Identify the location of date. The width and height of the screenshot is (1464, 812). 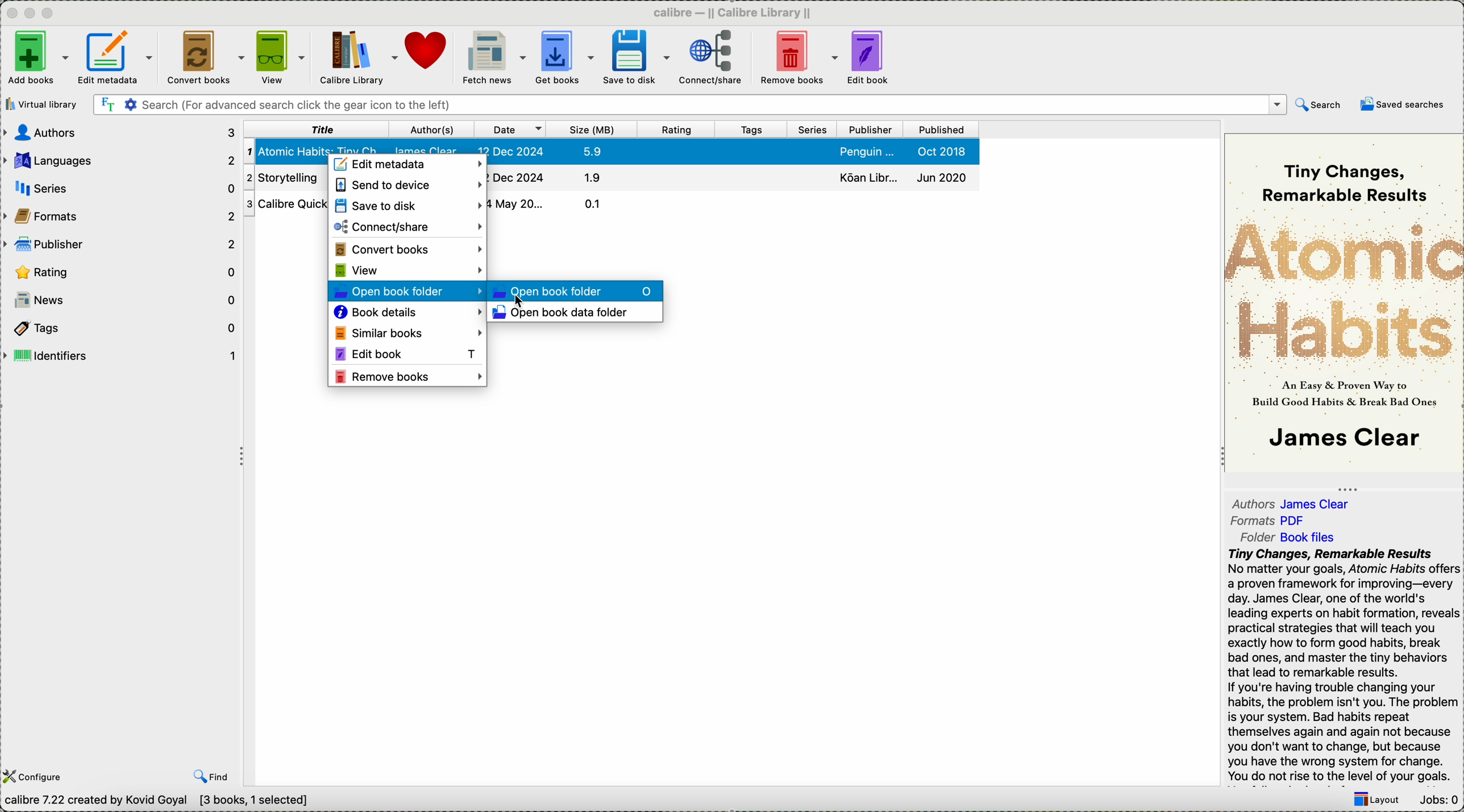
(510, 130).